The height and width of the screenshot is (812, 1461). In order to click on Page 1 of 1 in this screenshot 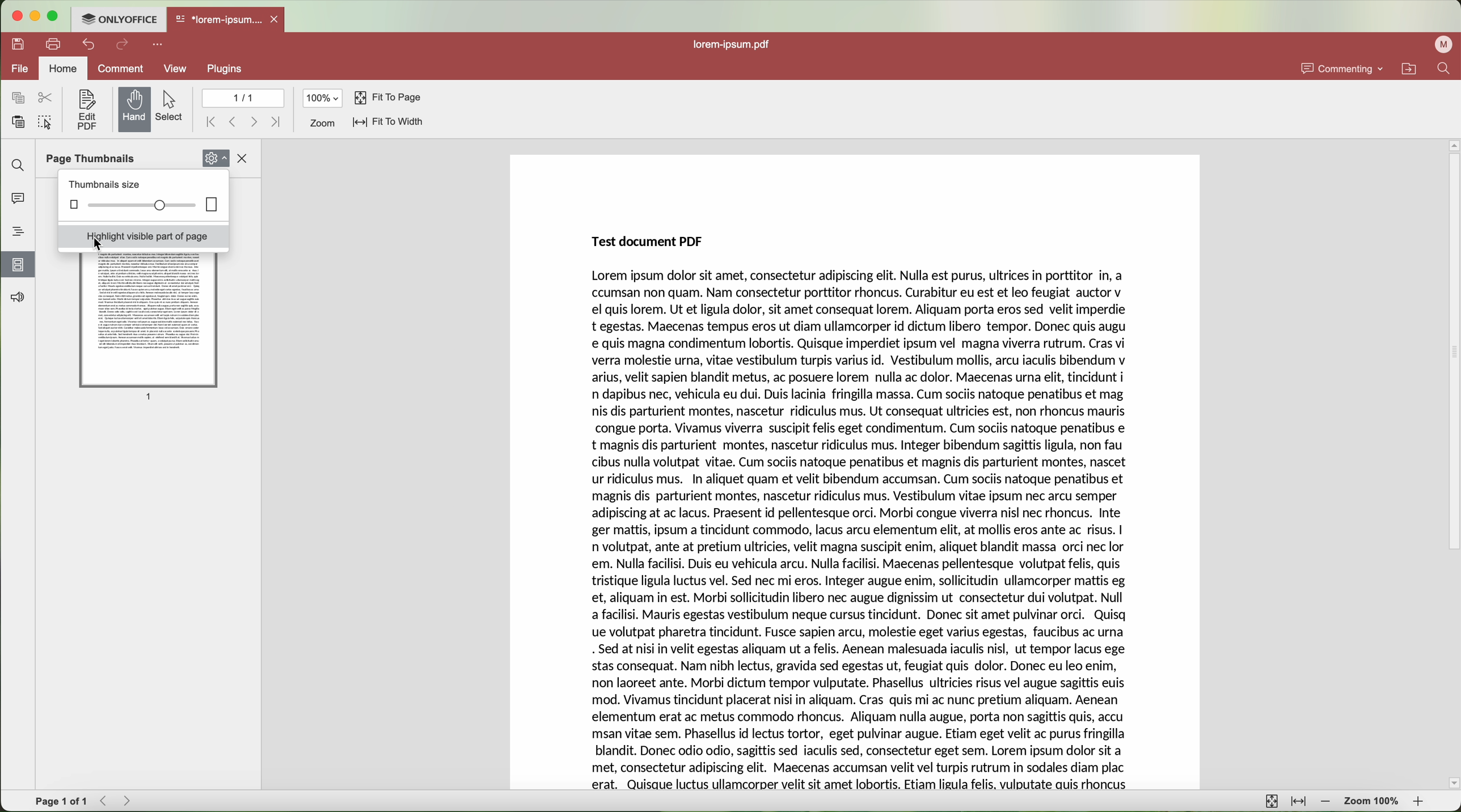, I will do `click(60, 801)`.